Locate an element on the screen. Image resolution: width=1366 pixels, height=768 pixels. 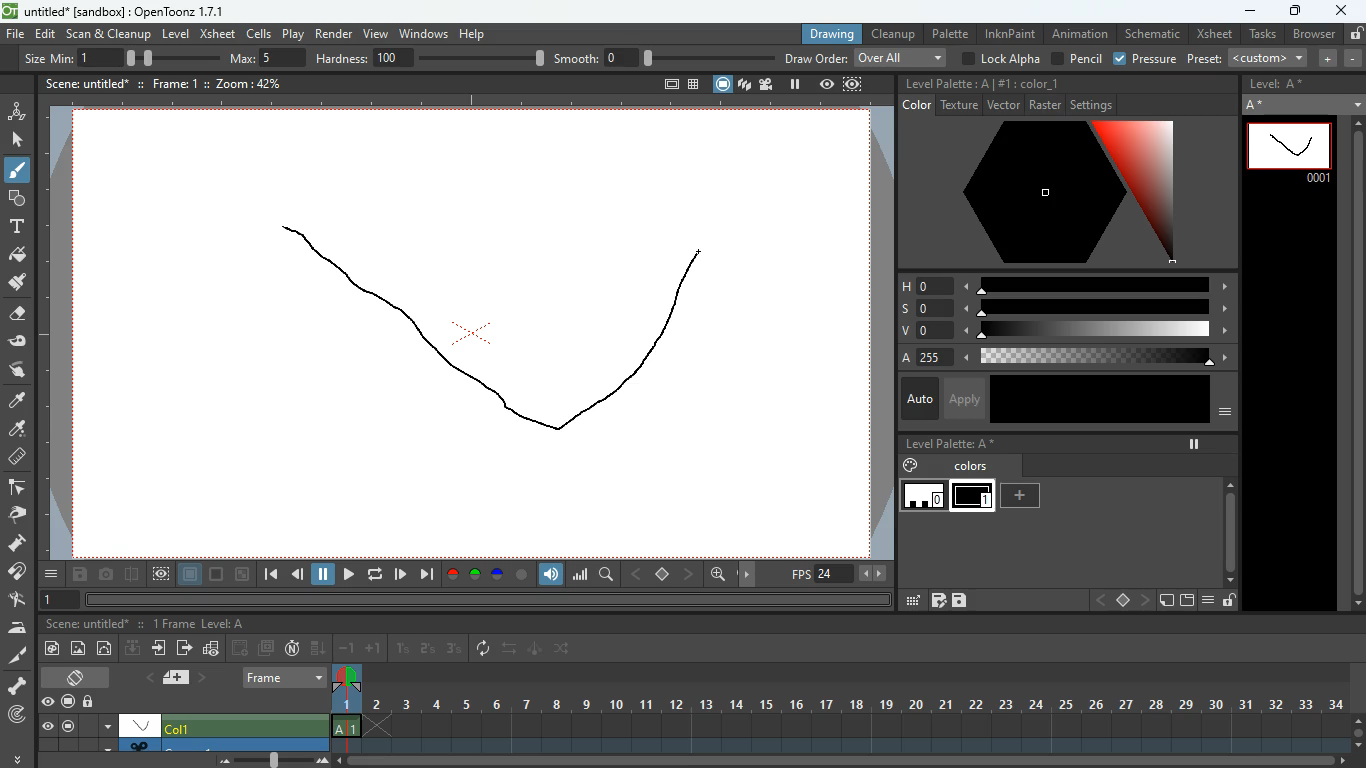
palette is located at coordinates (949, 33).